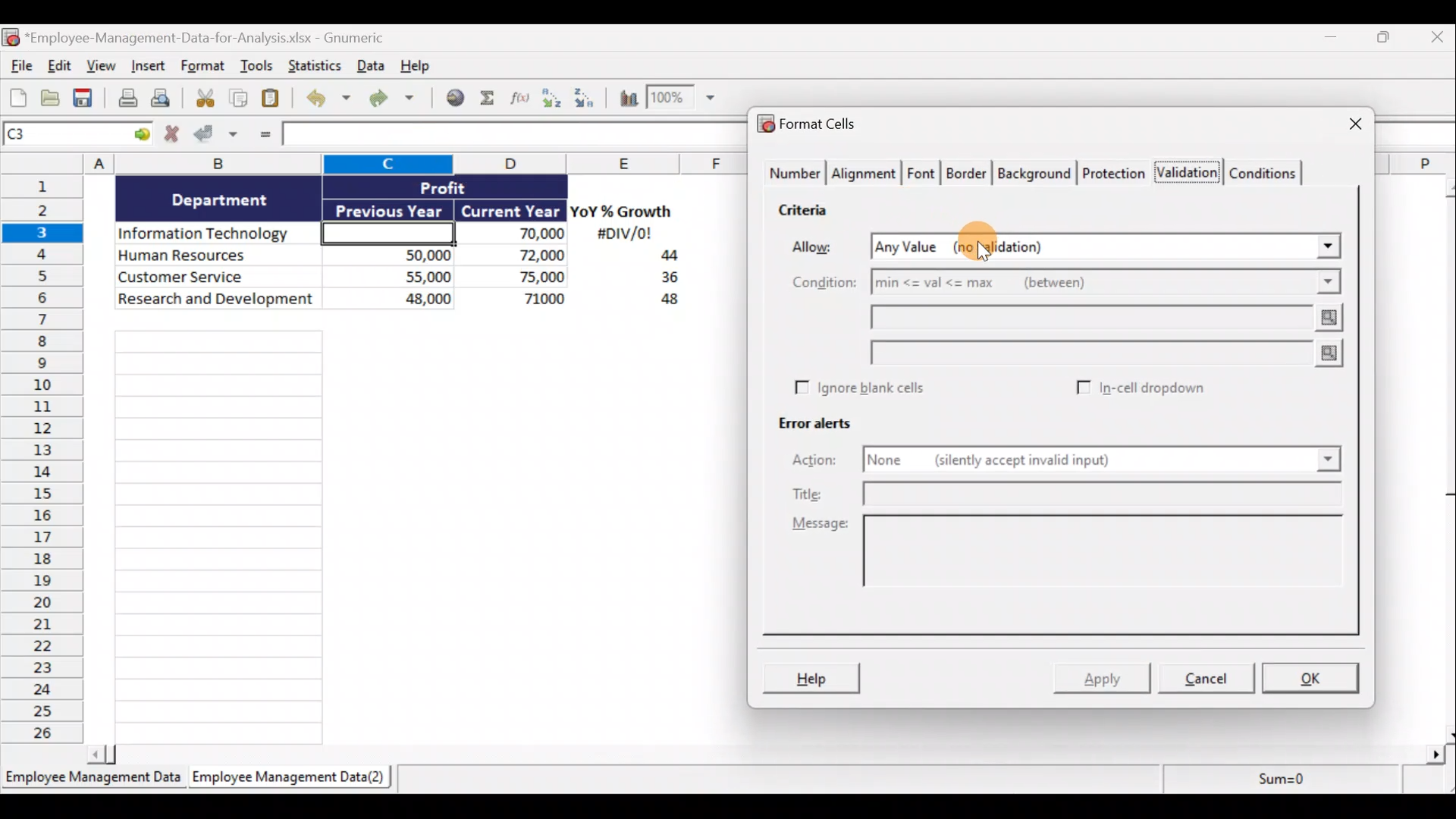 The image size is (1456, 819). I want to click on Cancel, so click(1212, 680).